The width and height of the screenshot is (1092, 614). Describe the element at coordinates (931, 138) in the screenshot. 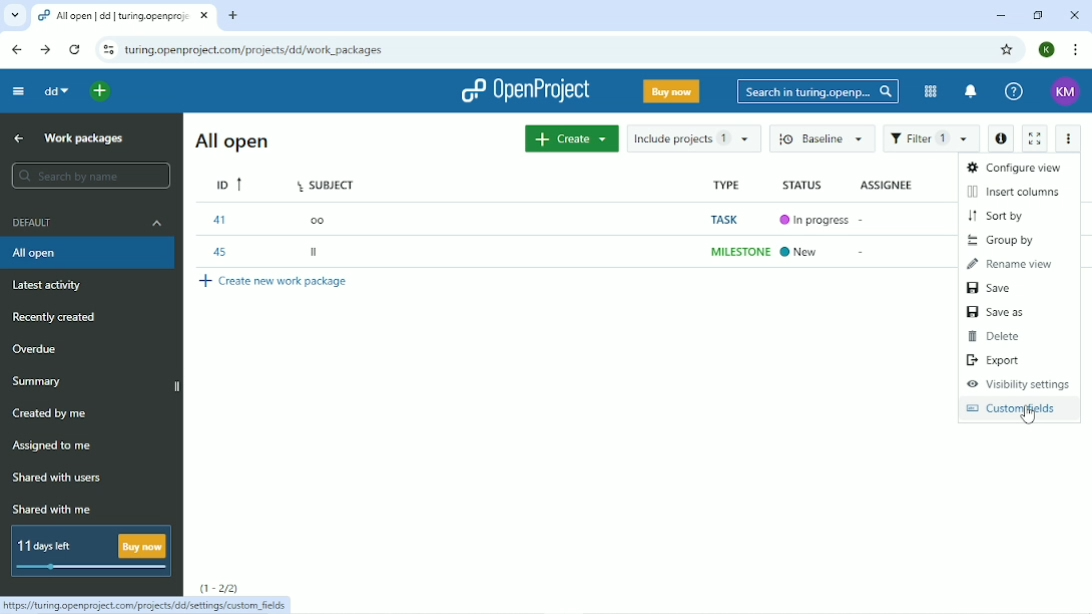

I see `Filter 1` at that location.